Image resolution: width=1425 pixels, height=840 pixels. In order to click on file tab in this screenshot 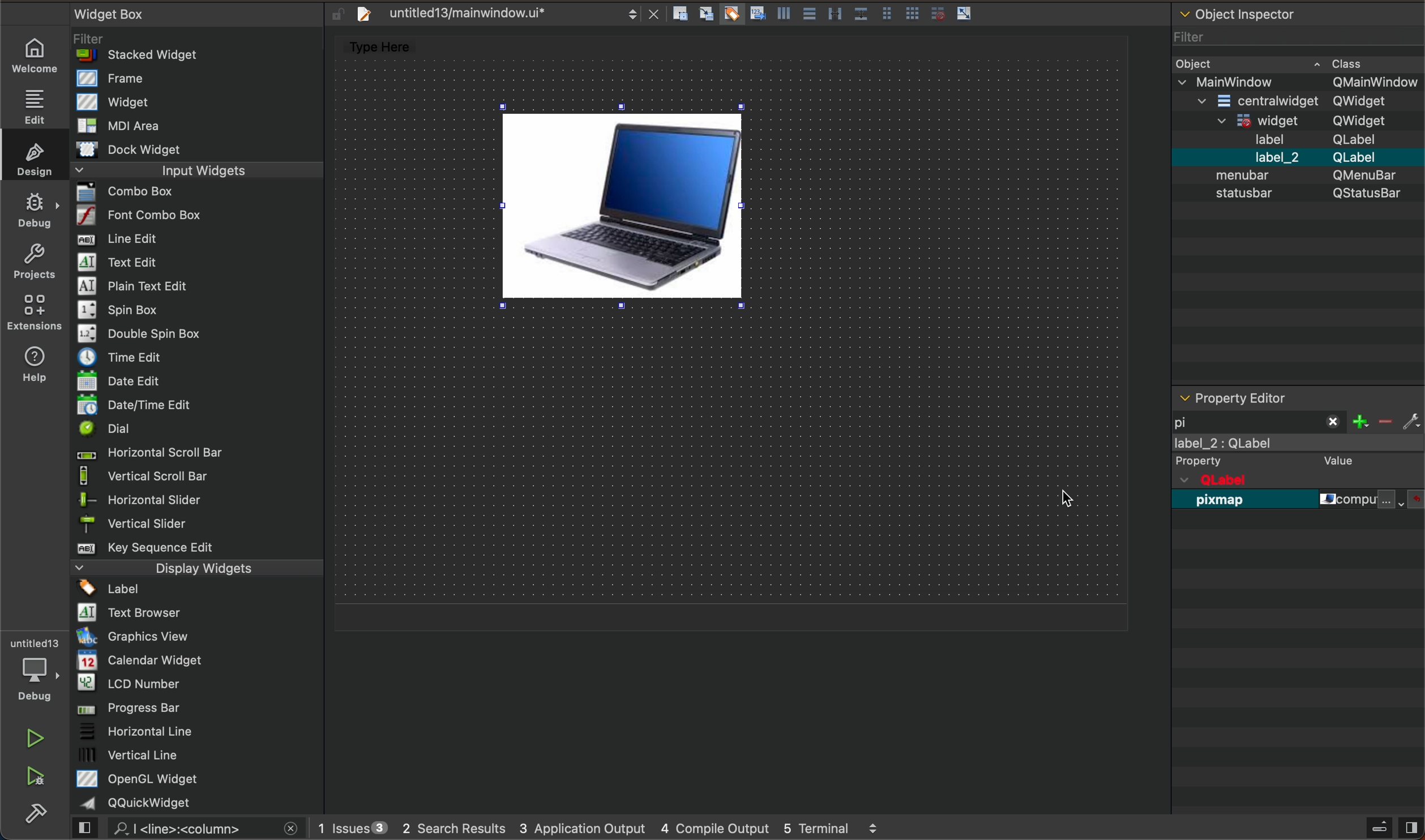, I will do `click(503, 16)`.